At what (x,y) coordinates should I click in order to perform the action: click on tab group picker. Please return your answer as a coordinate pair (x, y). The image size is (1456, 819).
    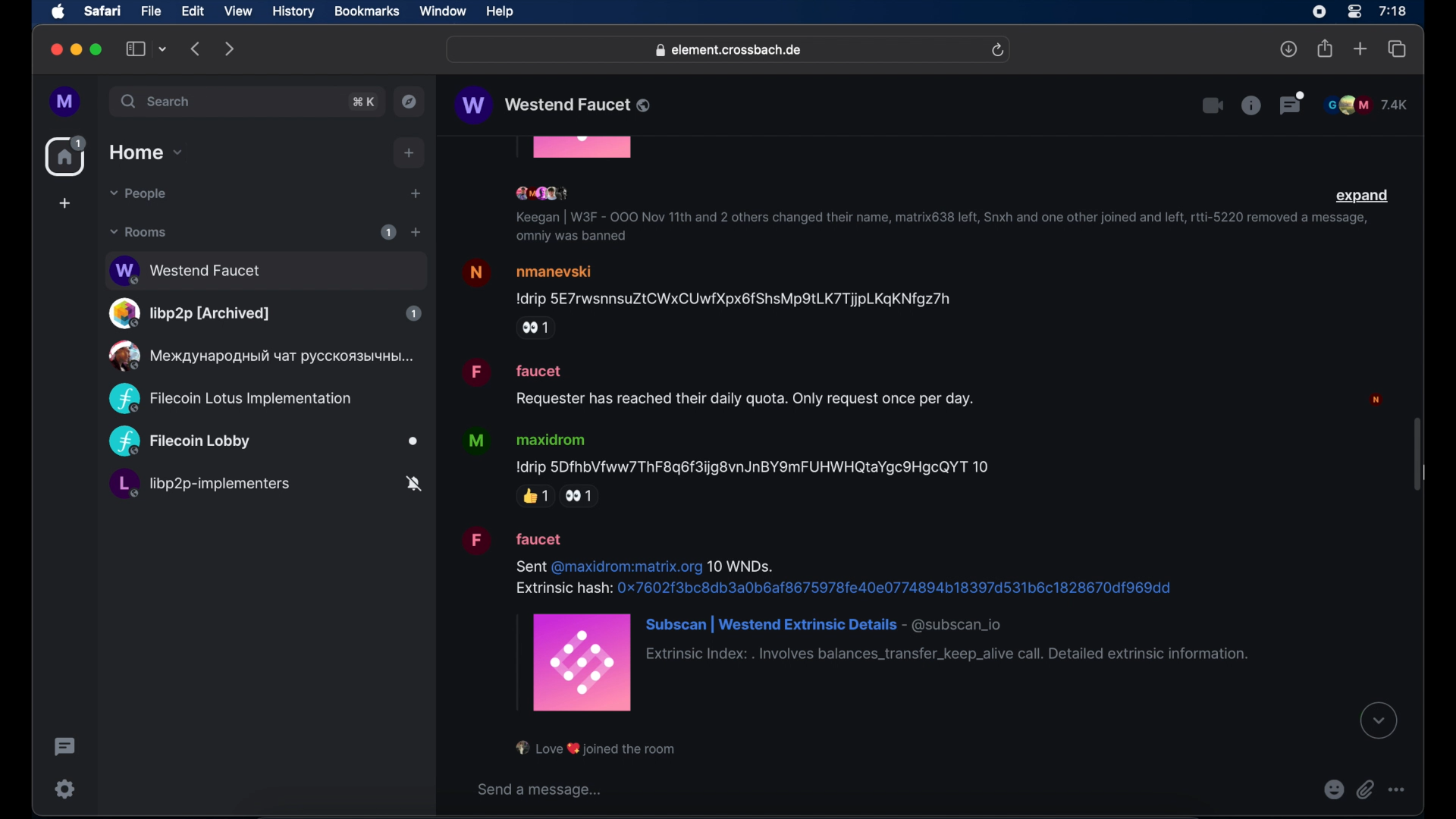
    Looking at the image, I should click on (163, 49).